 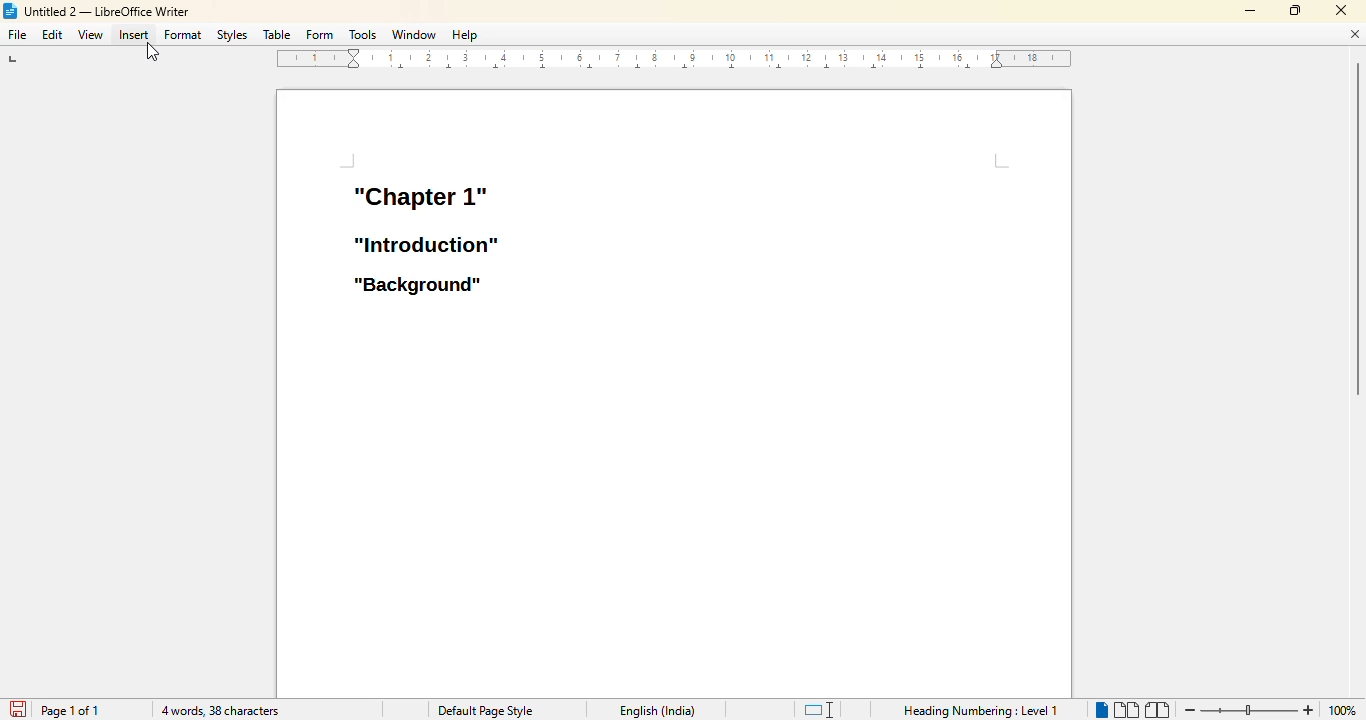 I want to click on zoom out, so click(x=1188, y=711).